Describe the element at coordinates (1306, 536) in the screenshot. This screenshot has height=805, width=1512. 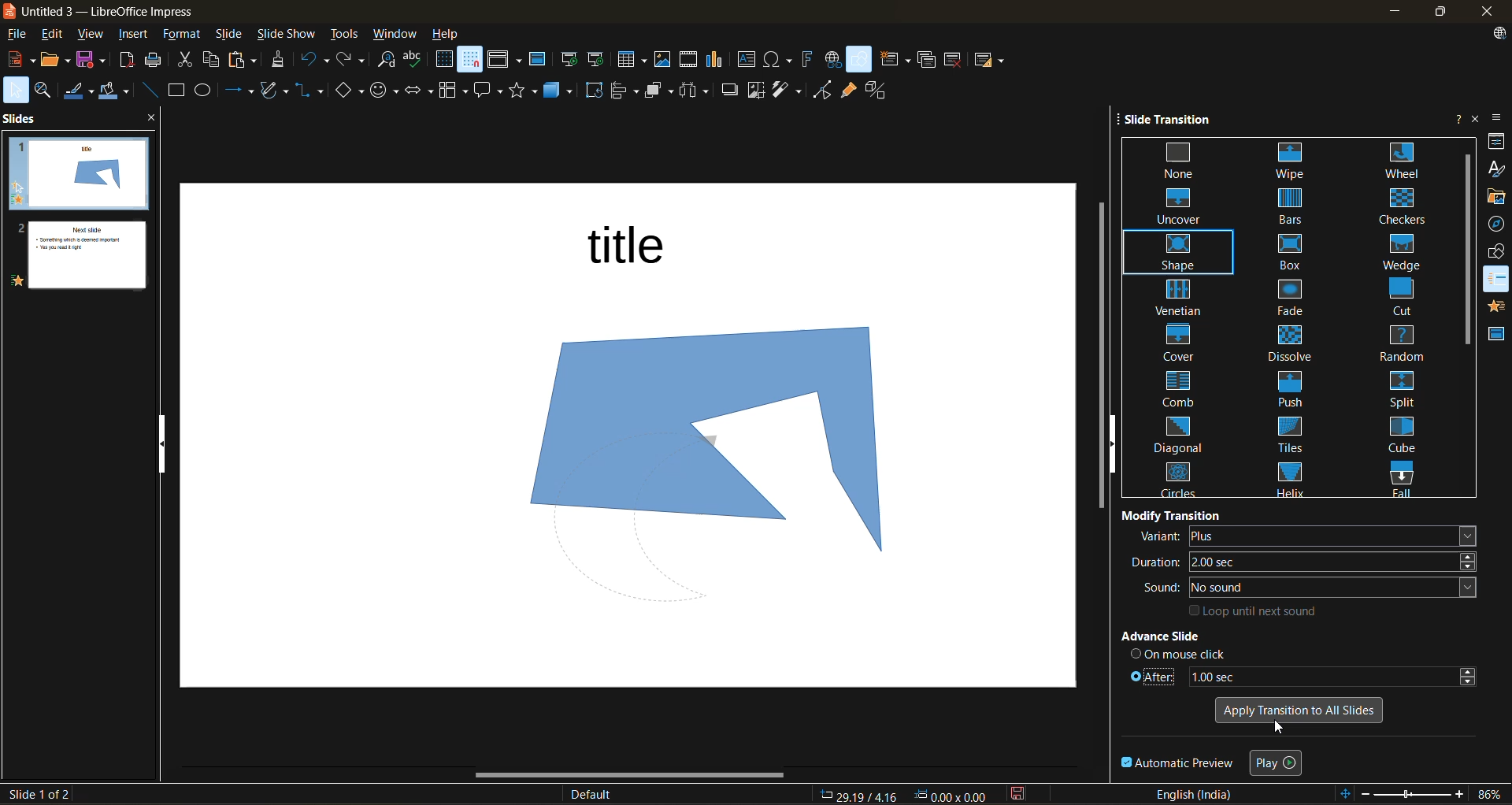
I see `variant` at that location.